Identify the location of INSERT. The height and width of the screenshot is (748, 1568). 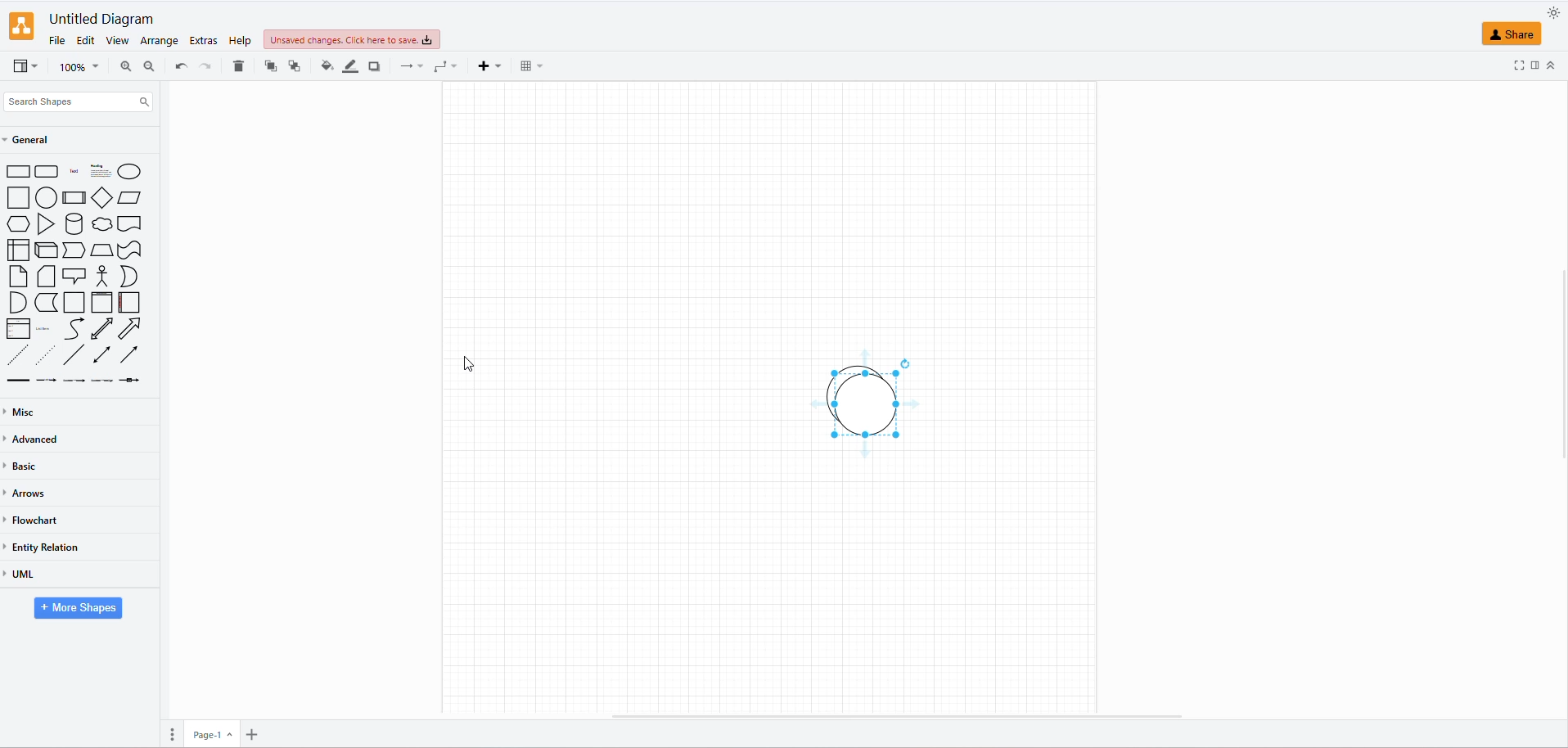
(487, 67).